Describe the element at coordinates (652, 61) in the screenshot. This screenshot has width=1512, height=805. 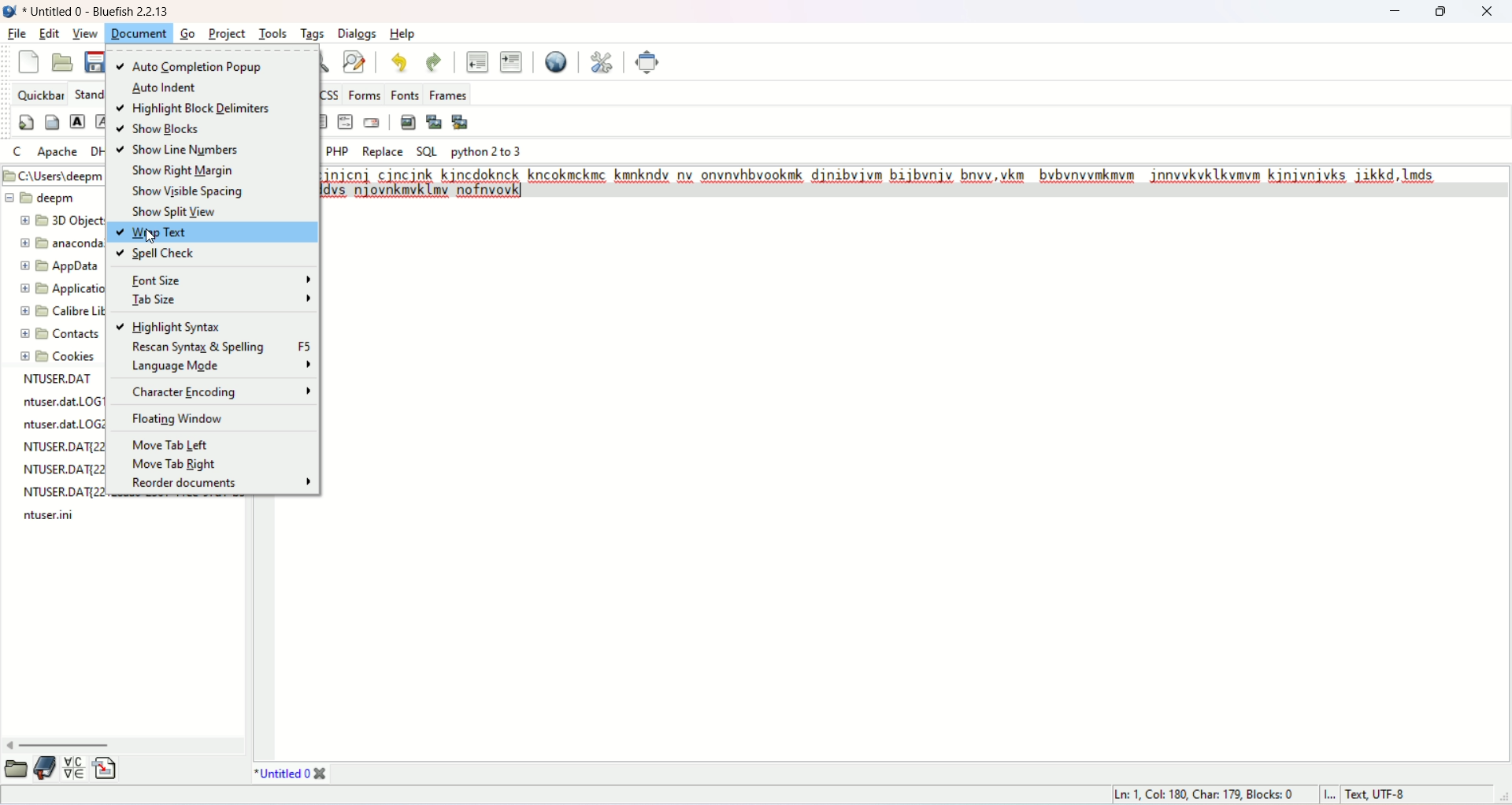
I see `fullscreen` at that location.